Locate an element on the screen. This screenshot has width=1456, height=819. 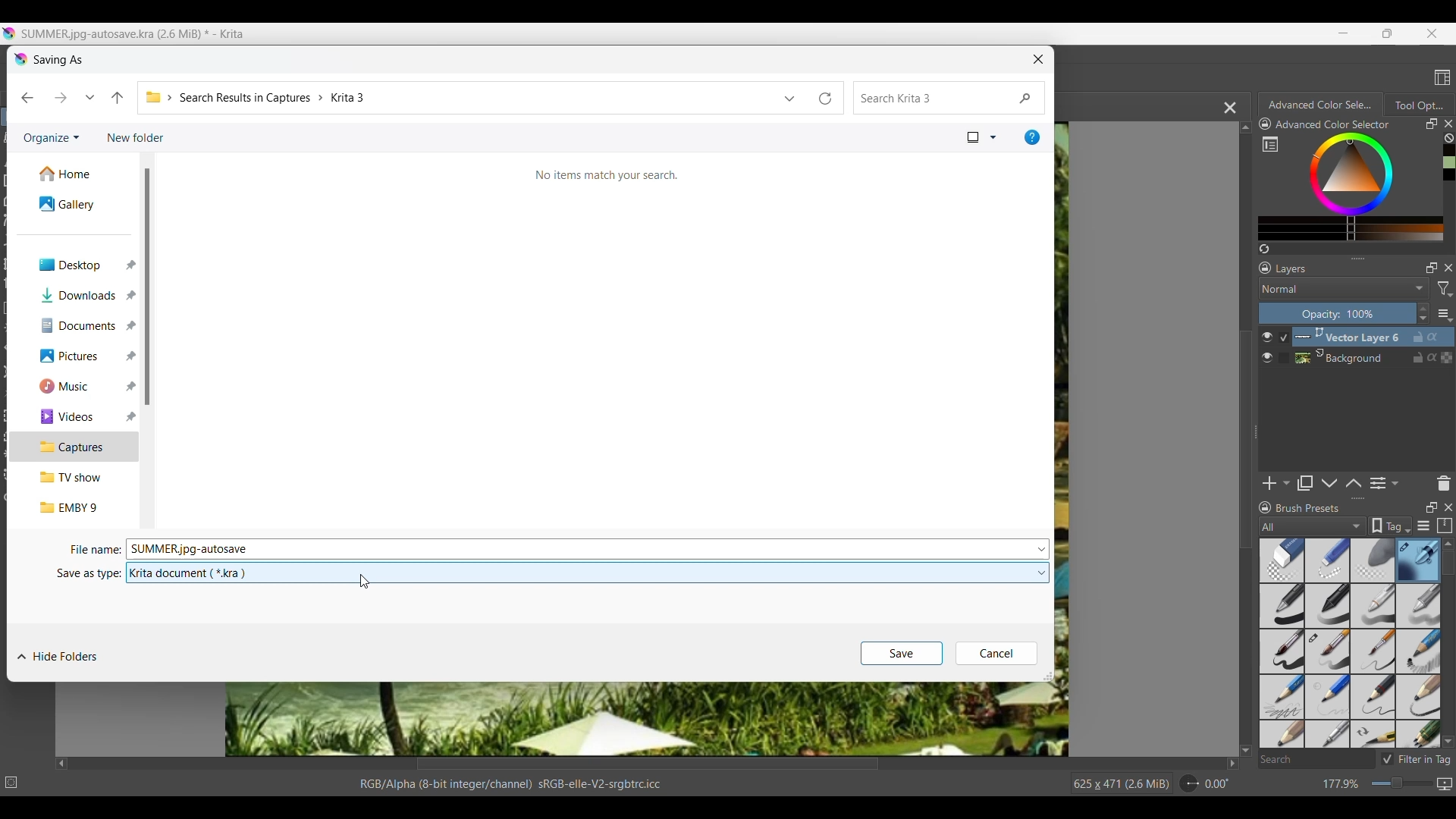
More settings is located at coordinates (1445, 314).